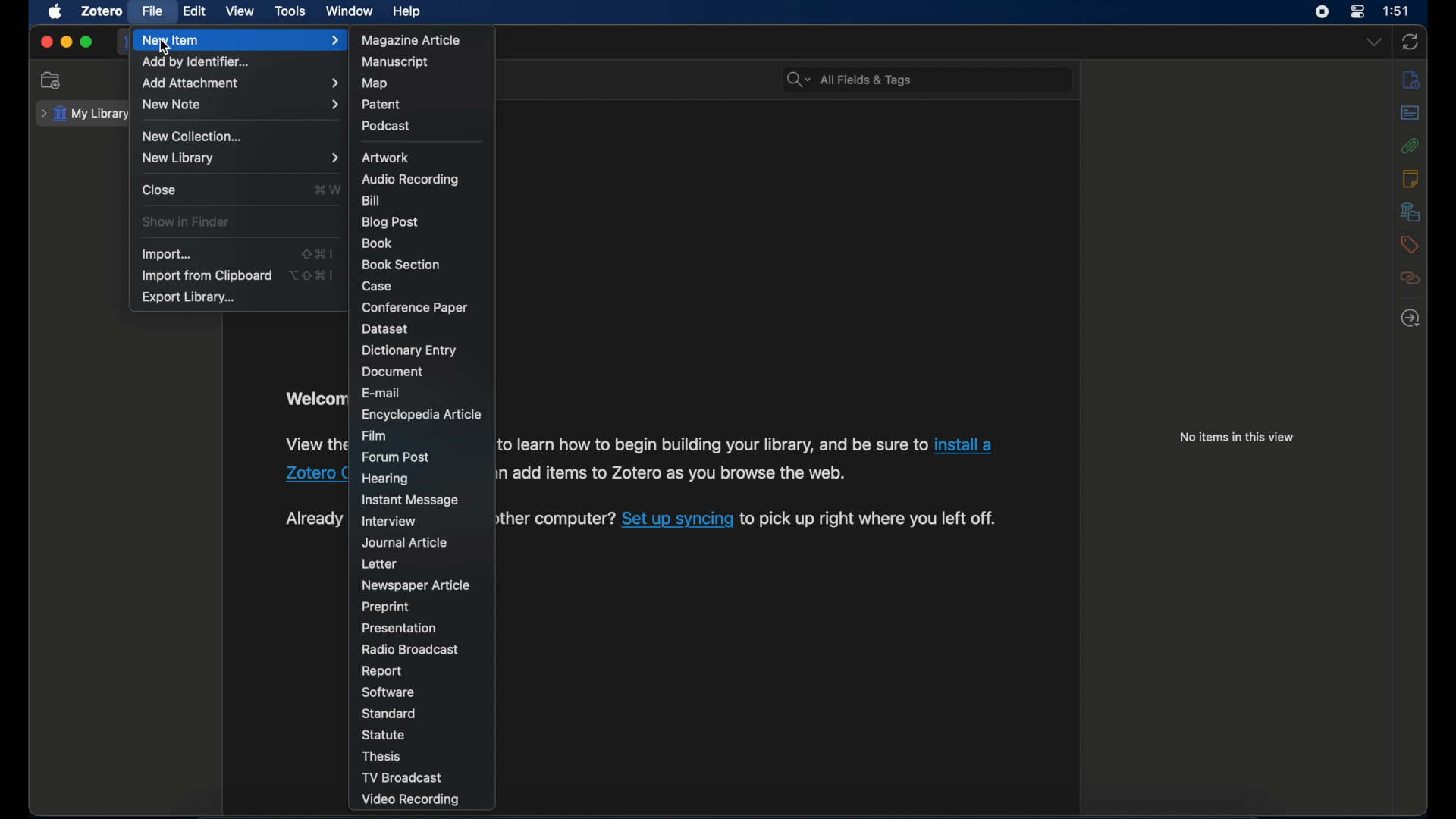 The image size is (1456, 819). What do you see at coordinates (409, 350) in the screenshot?
I see `dictionary entry` at bounding box center [409, 350].